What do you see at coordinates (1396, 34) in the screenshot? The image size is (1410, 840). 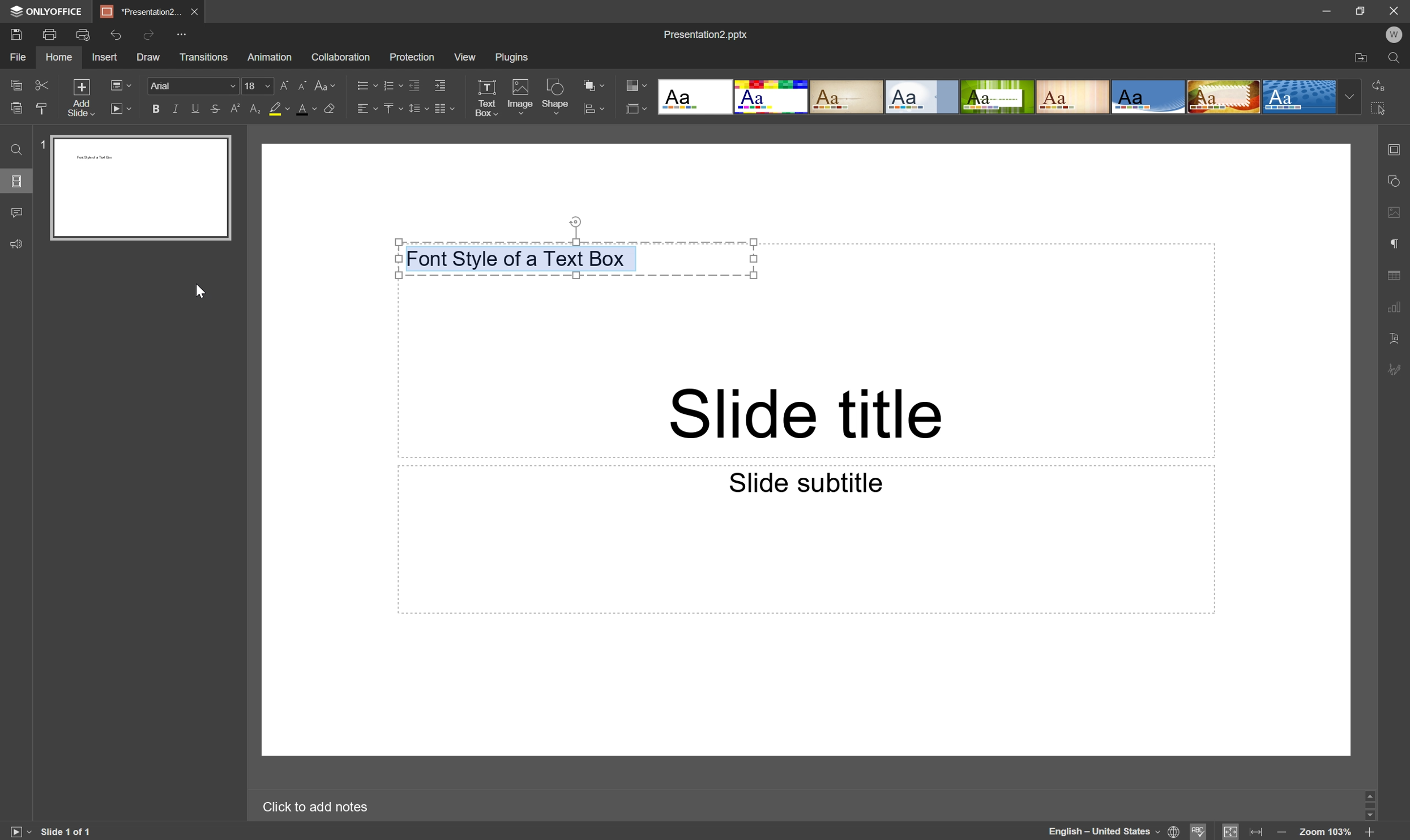 I see `W` at bounding box center [1396, 34].